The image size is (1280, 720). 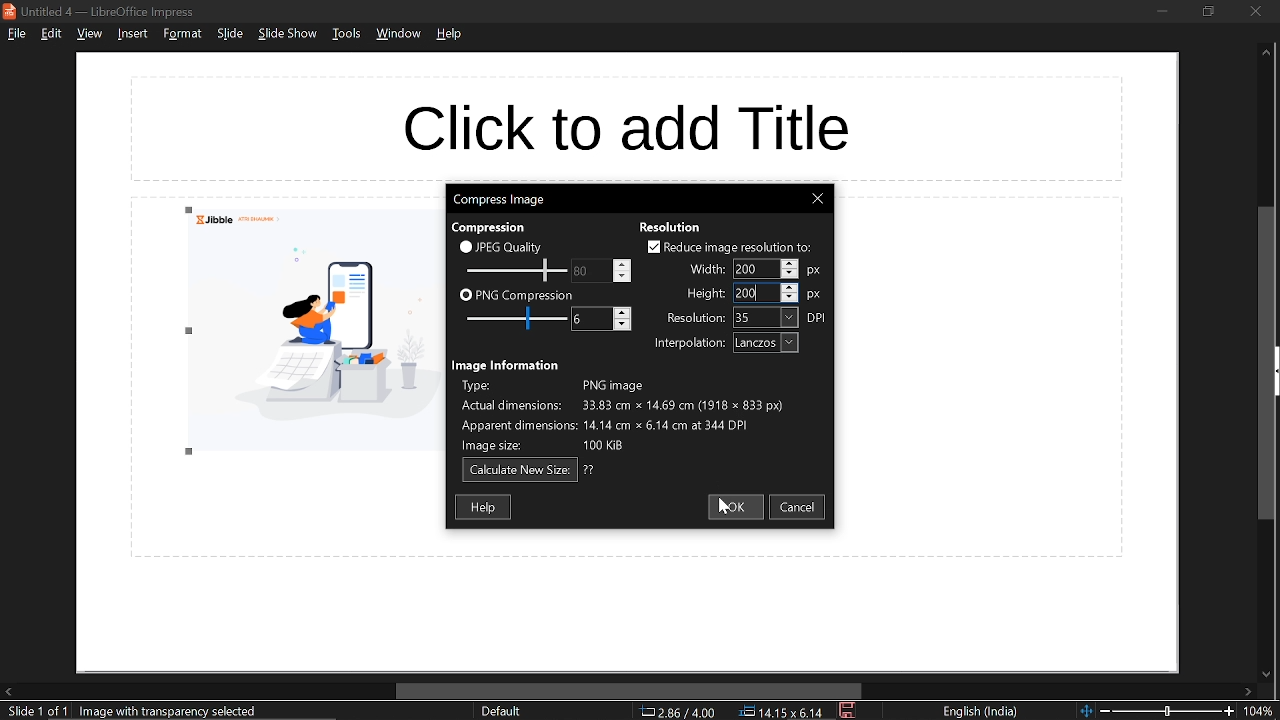 What do you see at coordinates (451, 34) in the screenshot?
I see `help` at bounding box center [451, 34].